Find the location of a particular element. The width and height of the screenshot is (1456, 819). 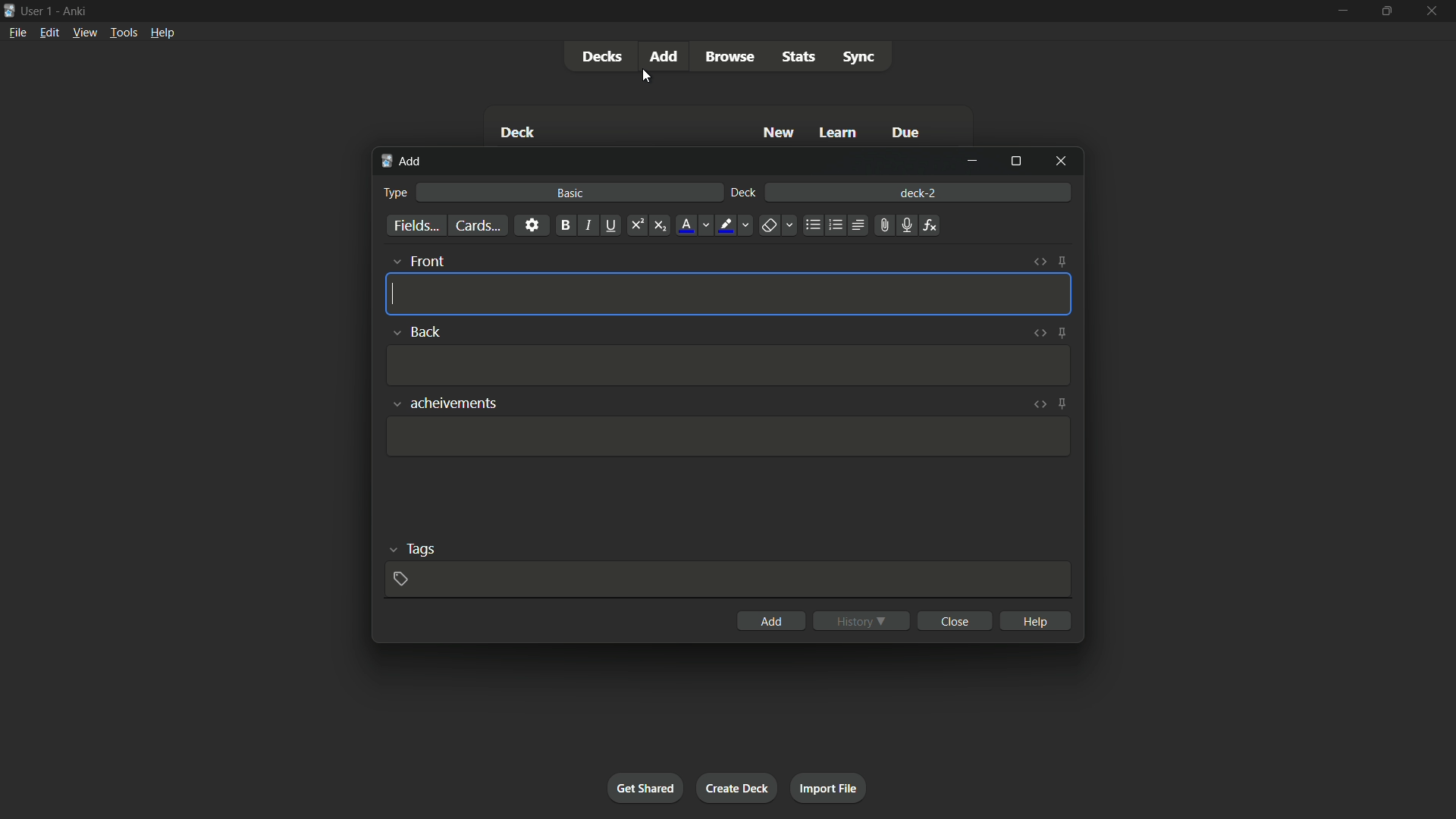

toggle sticky is located at coordinates (1062, 263).